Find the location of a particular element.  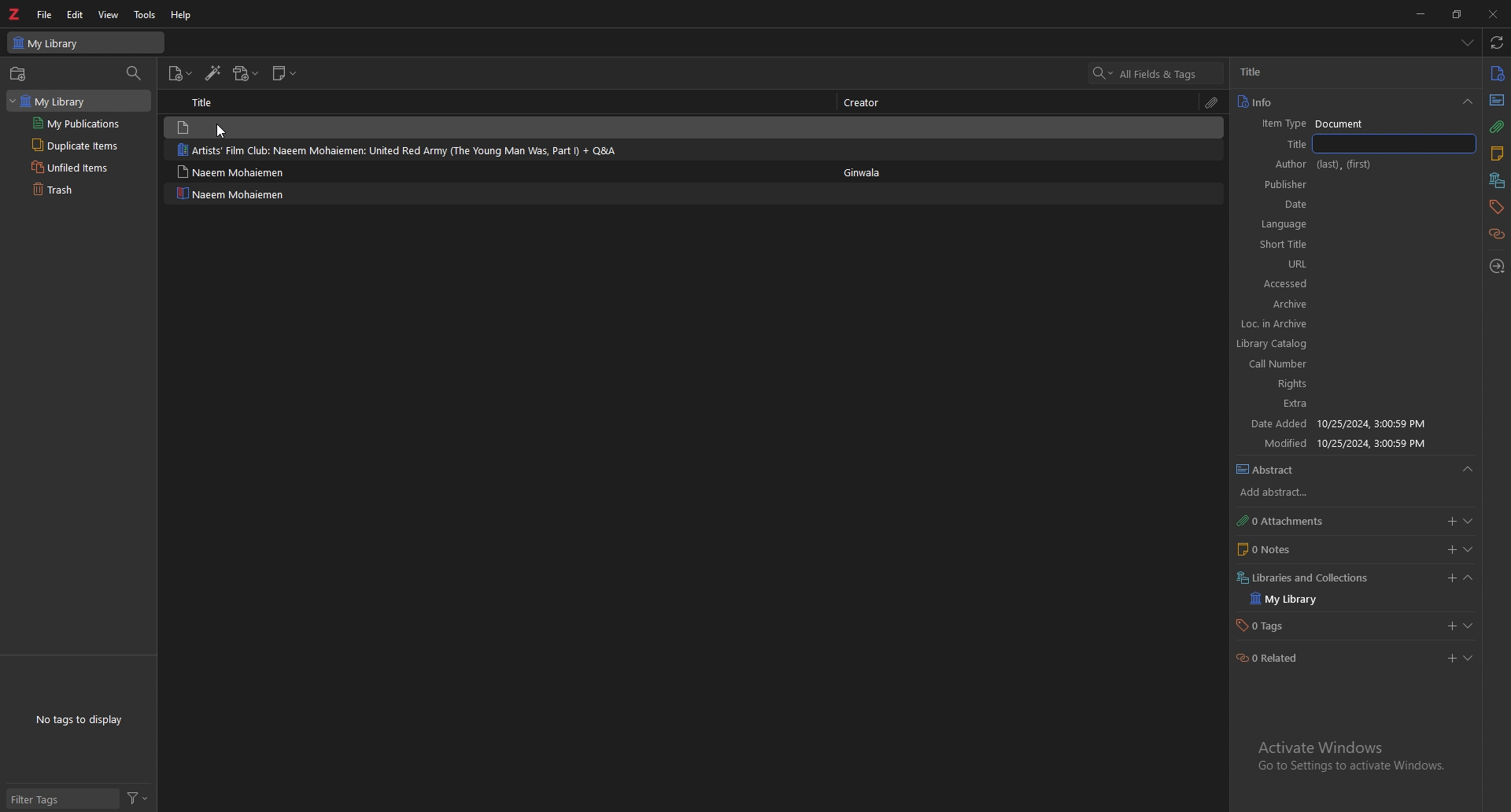

zotero is located at coordinates (17, 13).